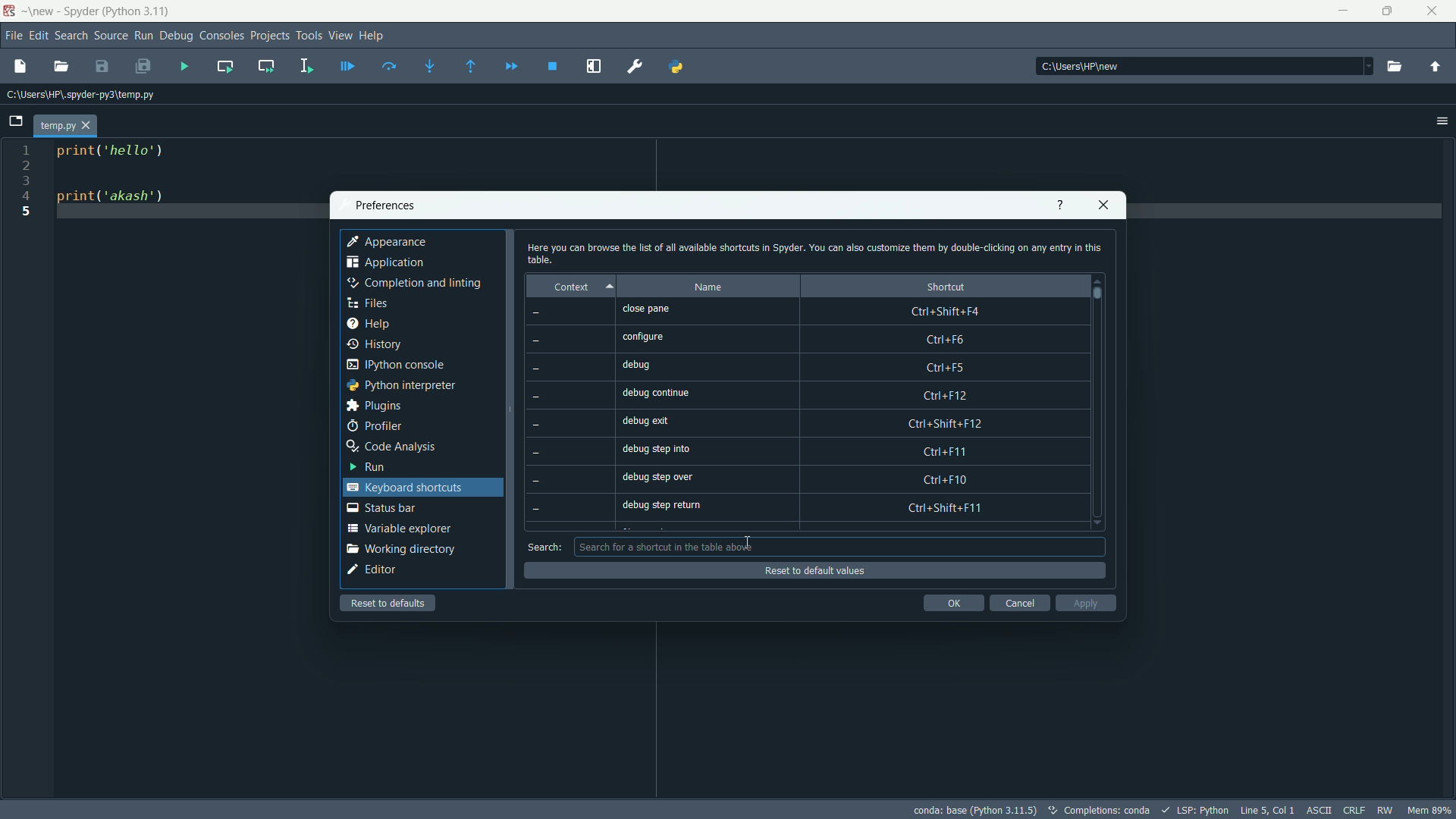 The height and width of the screenshot is (819, 1456). Describe the element at coordinates (307, 64) in the screenshot. I see `run selection` at that location.